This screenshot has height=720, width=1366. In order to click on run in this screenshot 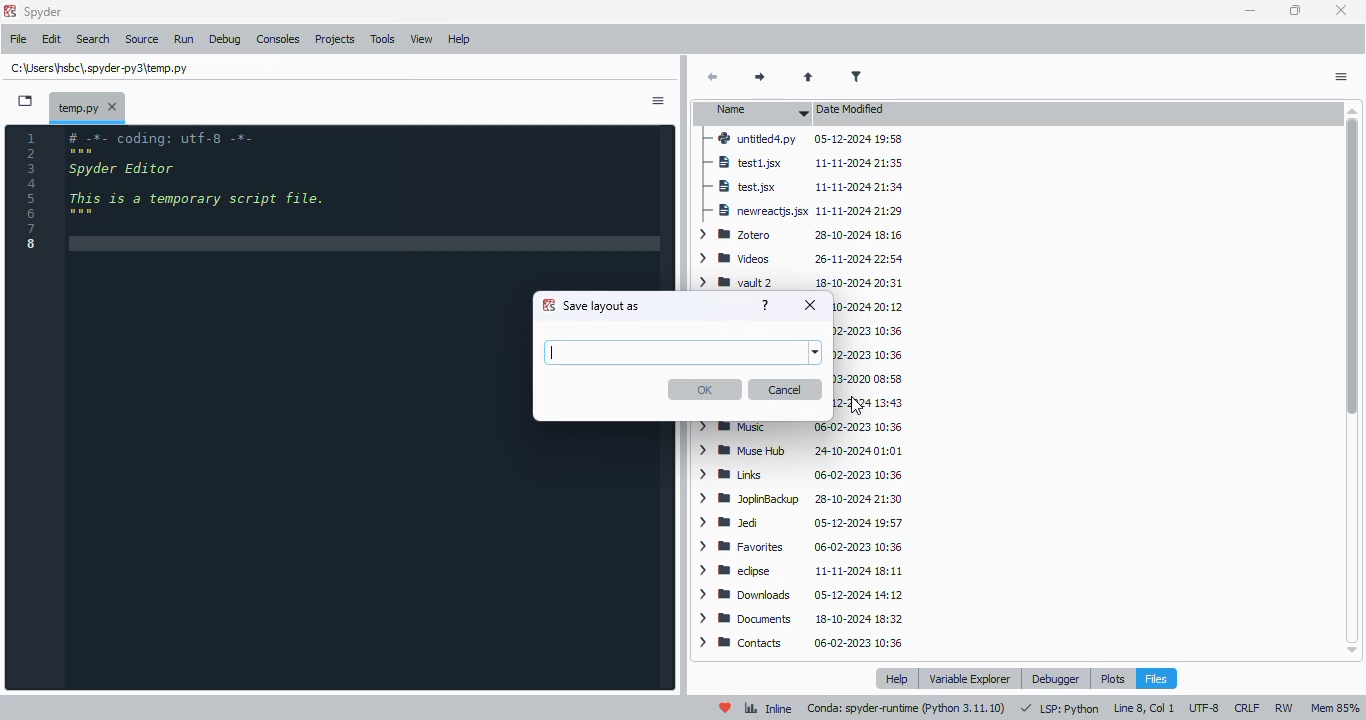, I will do `click(185, 40)`.